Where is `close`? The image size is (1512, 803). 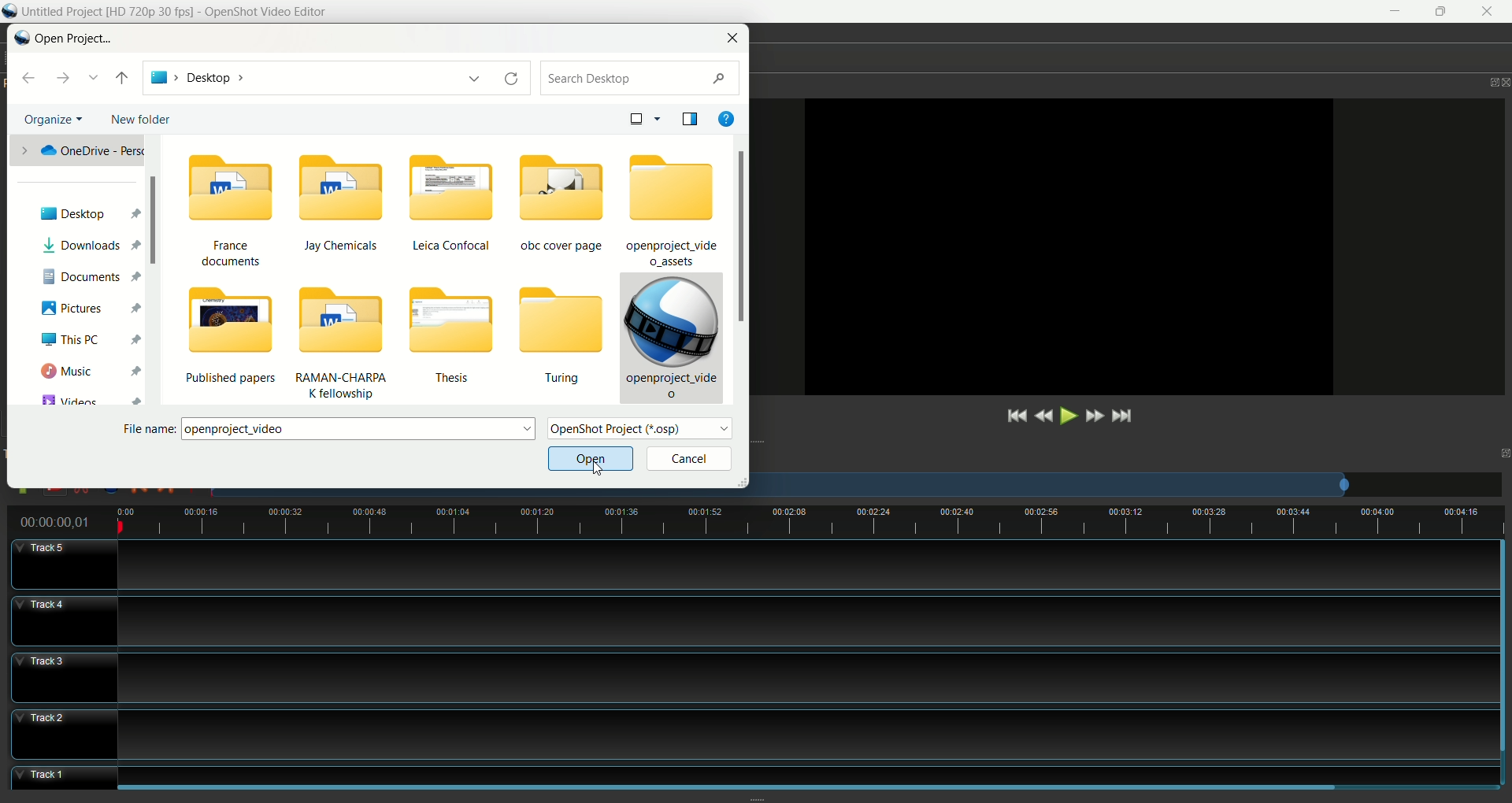
close is located at coordinates (1490, 12).